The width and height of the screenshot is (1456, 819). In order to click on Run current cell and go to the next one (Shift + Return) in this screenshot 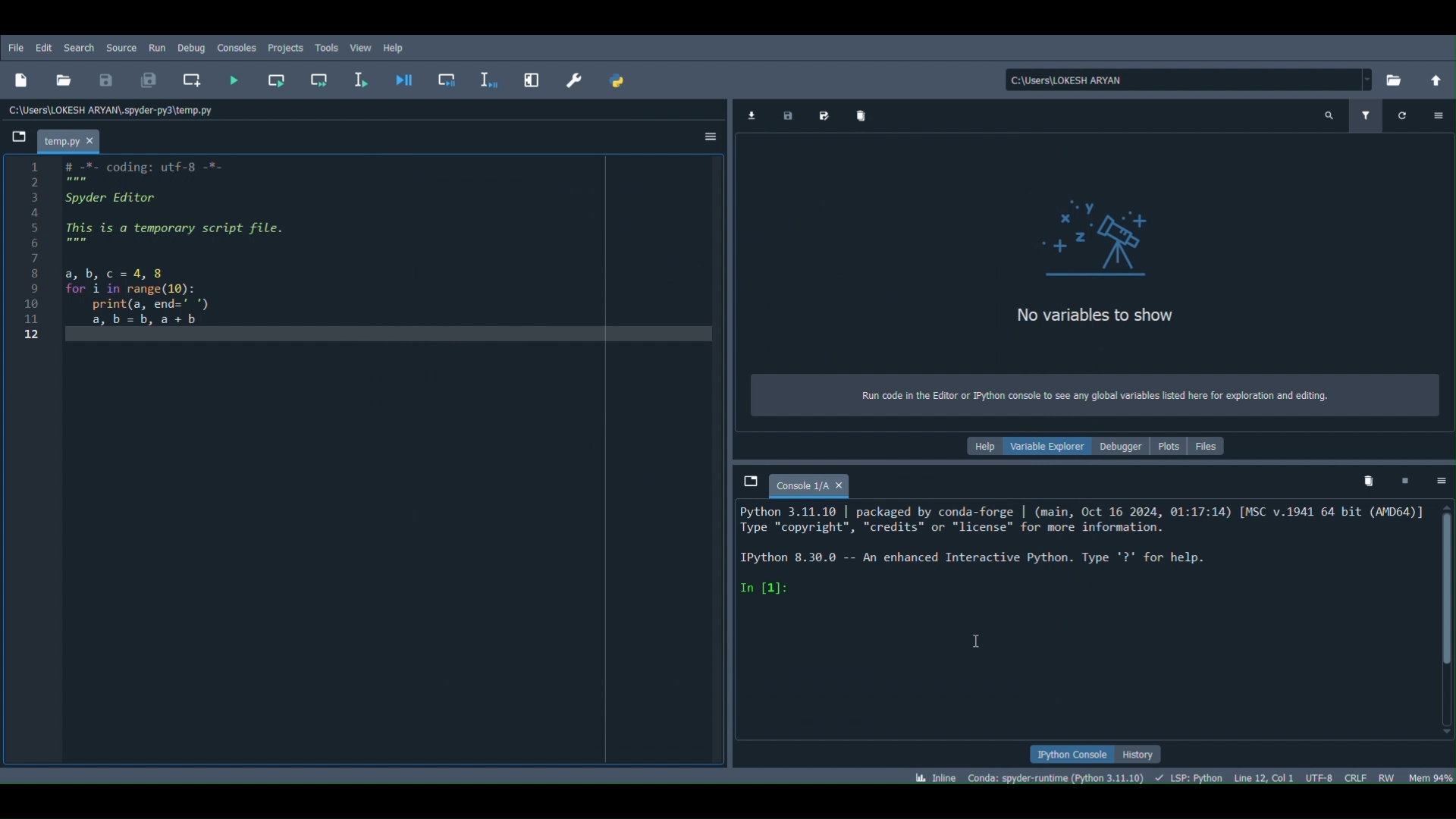, I will do `click(320, 80)`.